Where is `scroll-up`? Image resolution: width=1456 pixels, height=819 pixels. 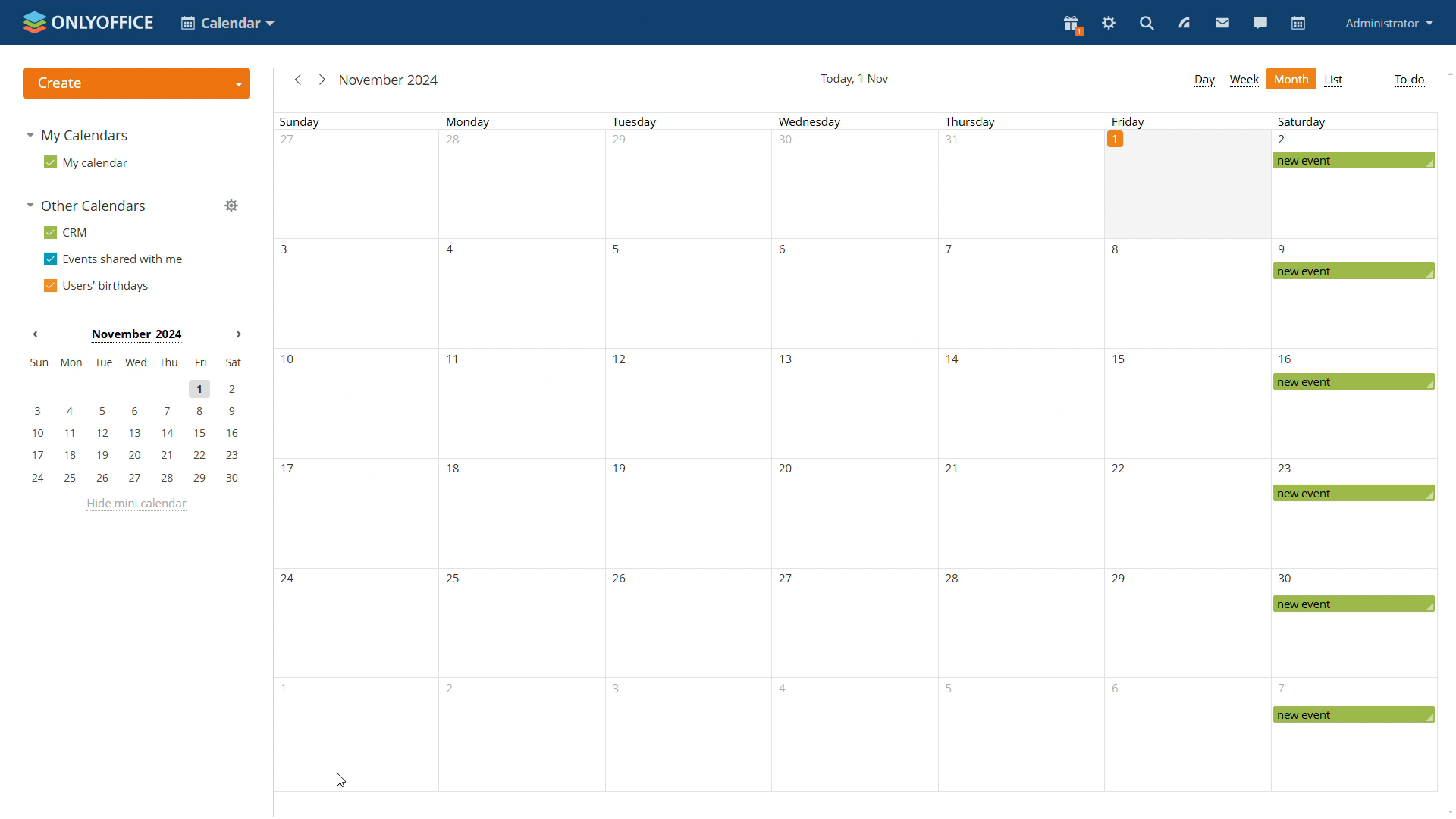
scroll-up is located at coordinates (1447, 72).